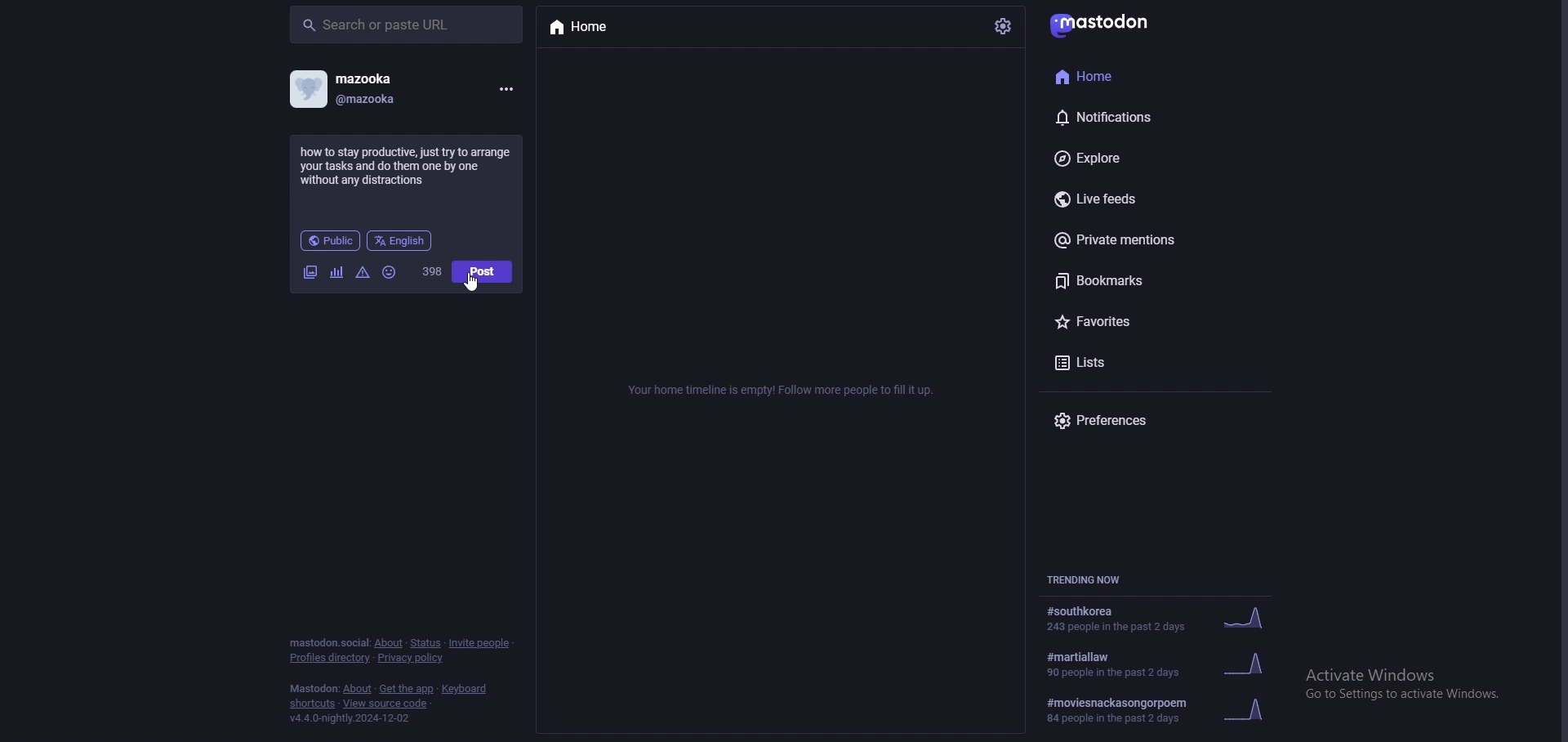 The width and height of the screenshot is (1568, 742). Describe the element at coordinates (506, 90) in the screenshot. I see `menu` at that location.